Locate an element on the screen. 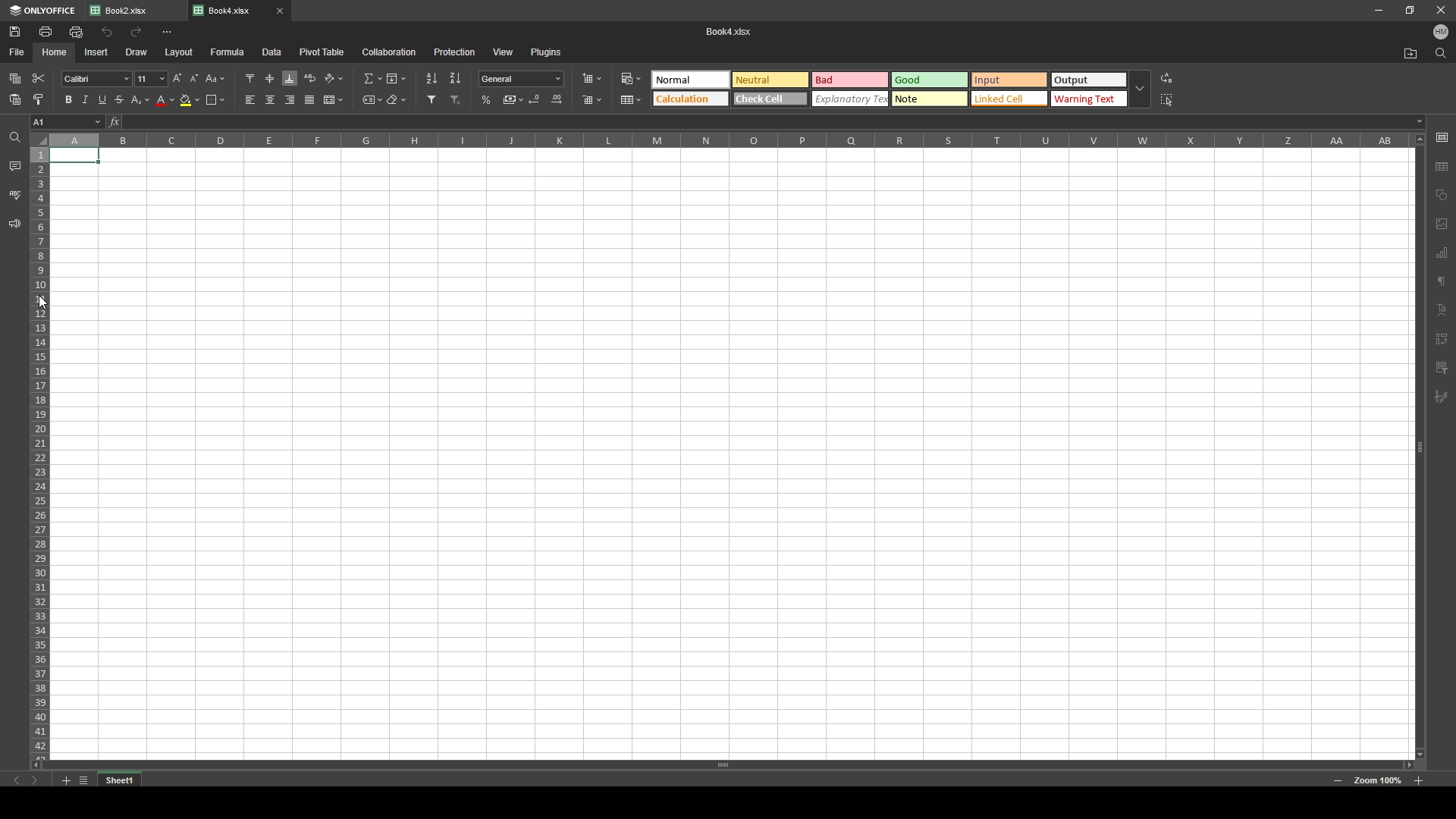  search is located at coordinates (13, 136).